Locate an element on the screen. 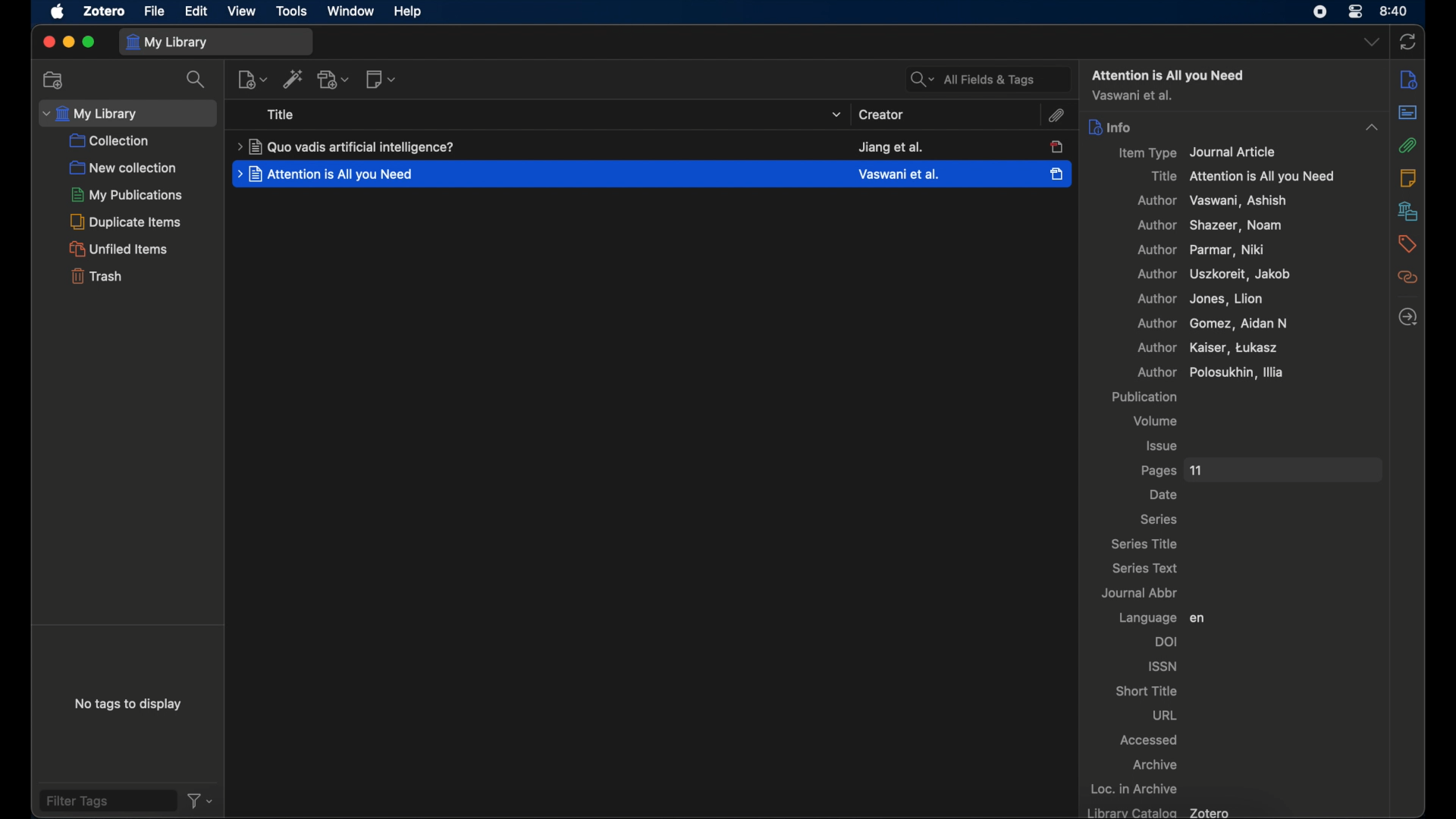 This screenshot has width=1456, height=819. title is located at coordinates (281, 115).